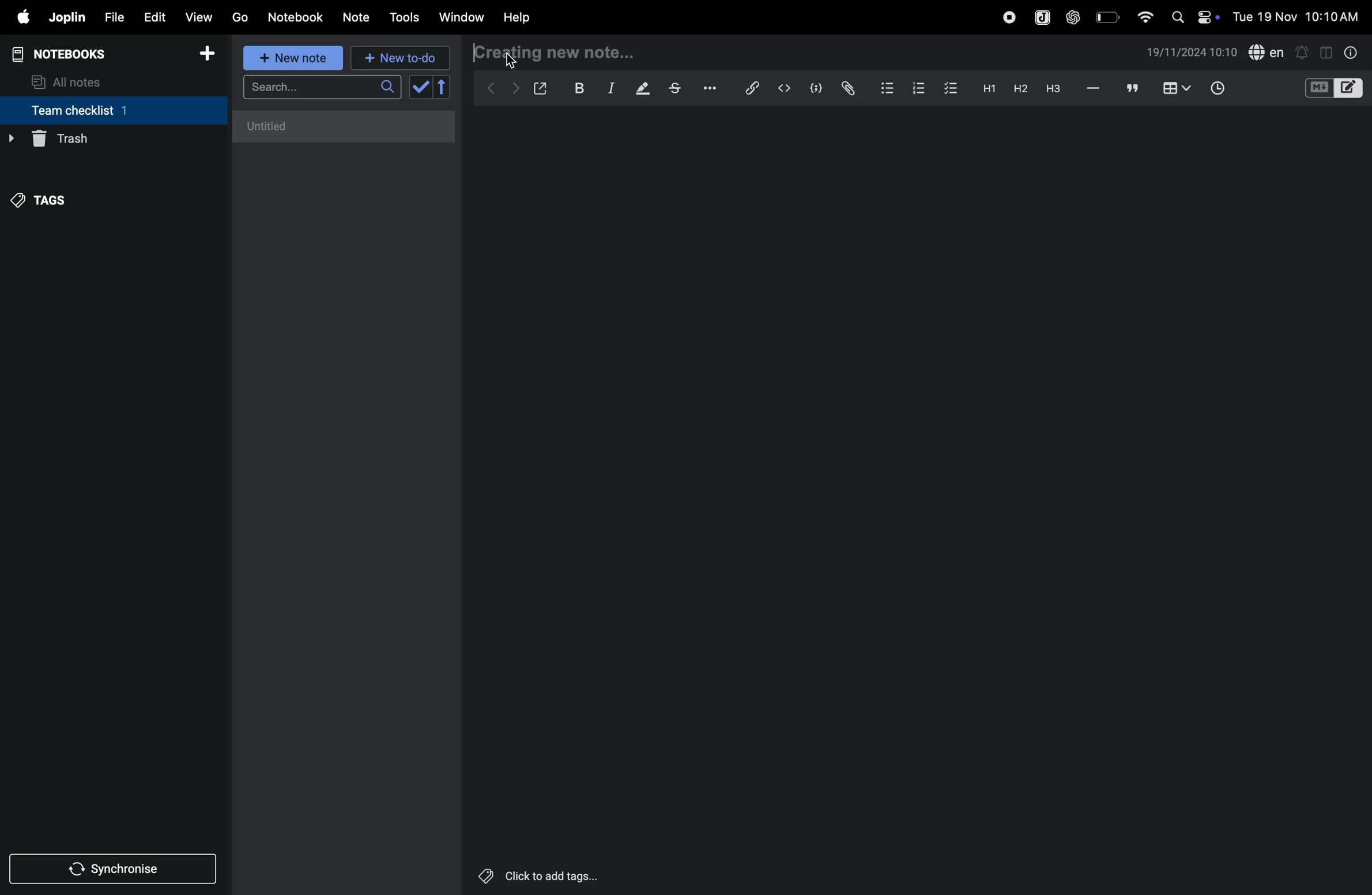 The height and width of the screenshot is (895, 1372). Describe the element at coordinates (1296, 16) in the screenshot. I see `` at that location.